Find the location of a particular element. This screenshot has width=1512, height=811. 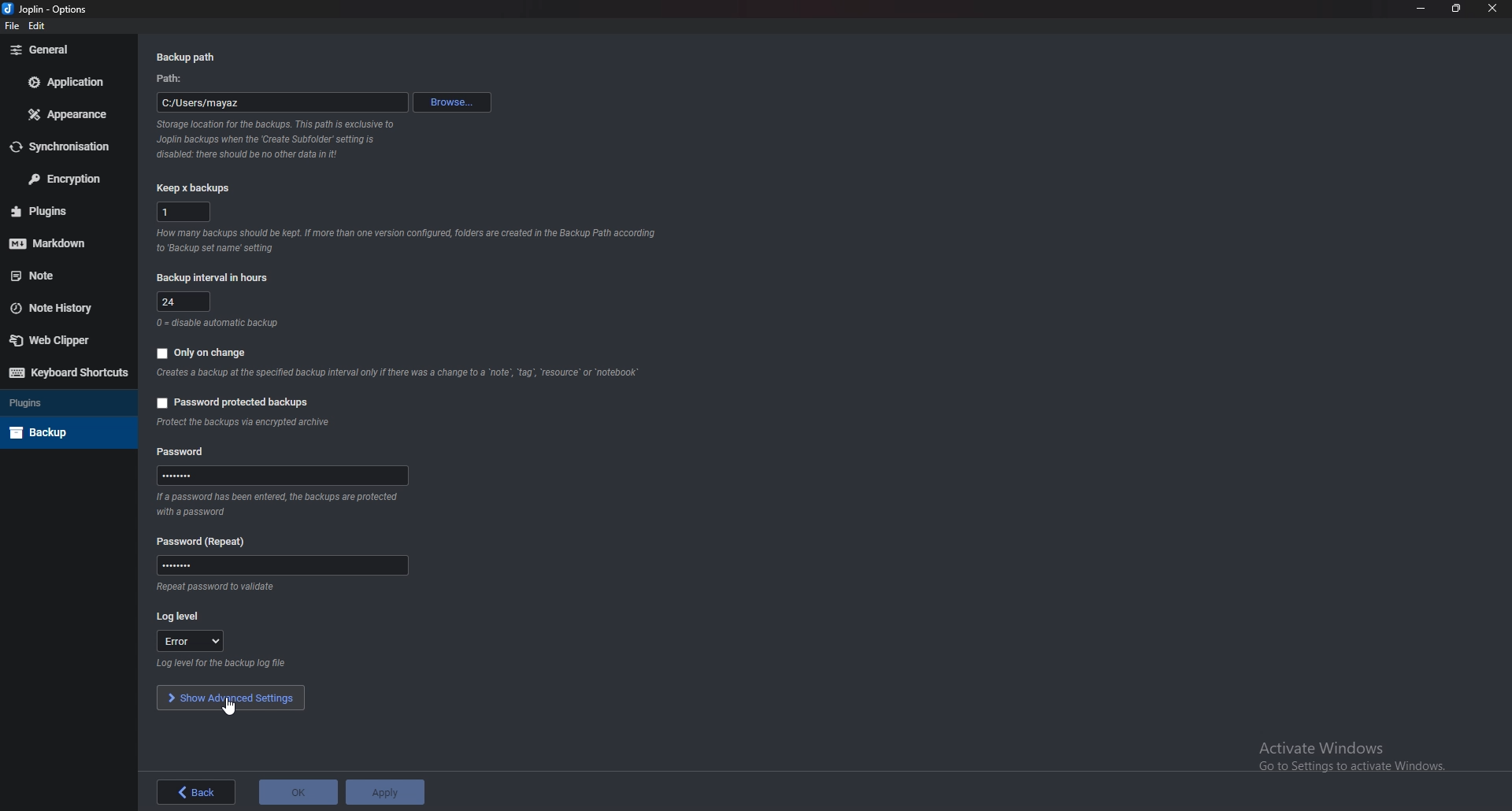

Browse is located at coordinates (452, 102).